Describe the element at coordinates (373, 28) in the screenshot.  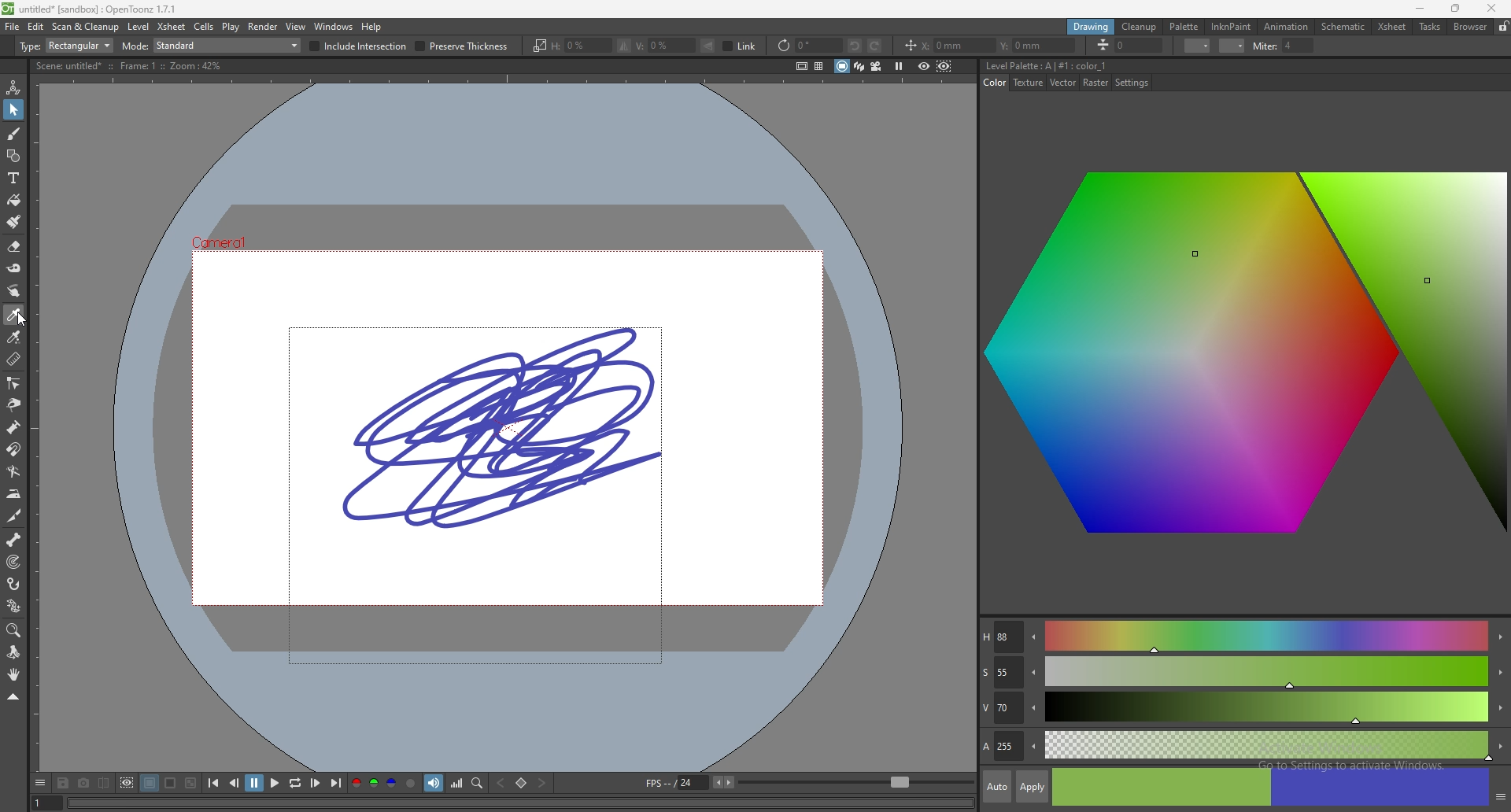
I see `help` at that location.